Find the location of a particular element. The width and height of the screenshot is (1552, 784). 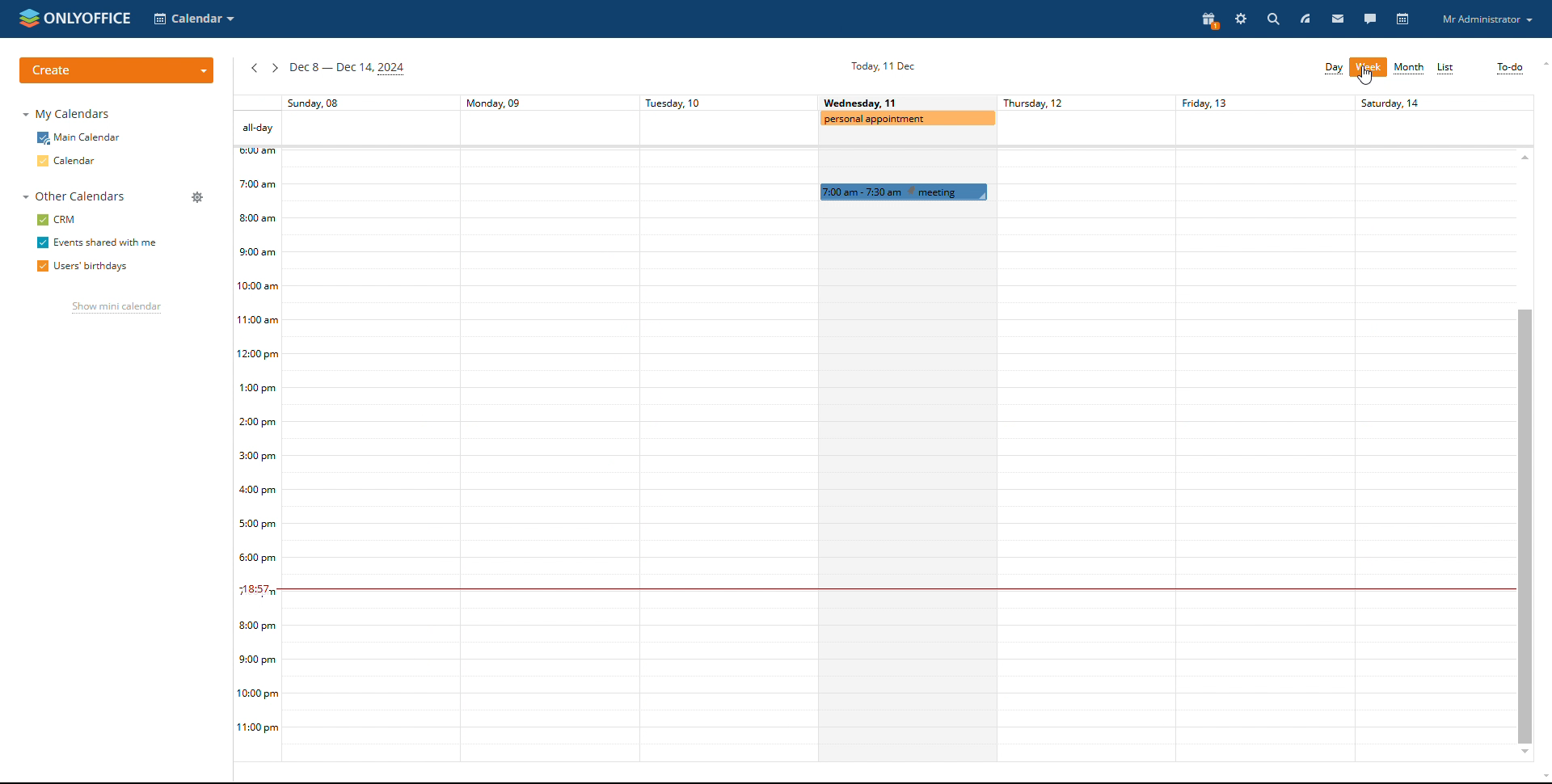

profile is located at coordinates (1487, 19).